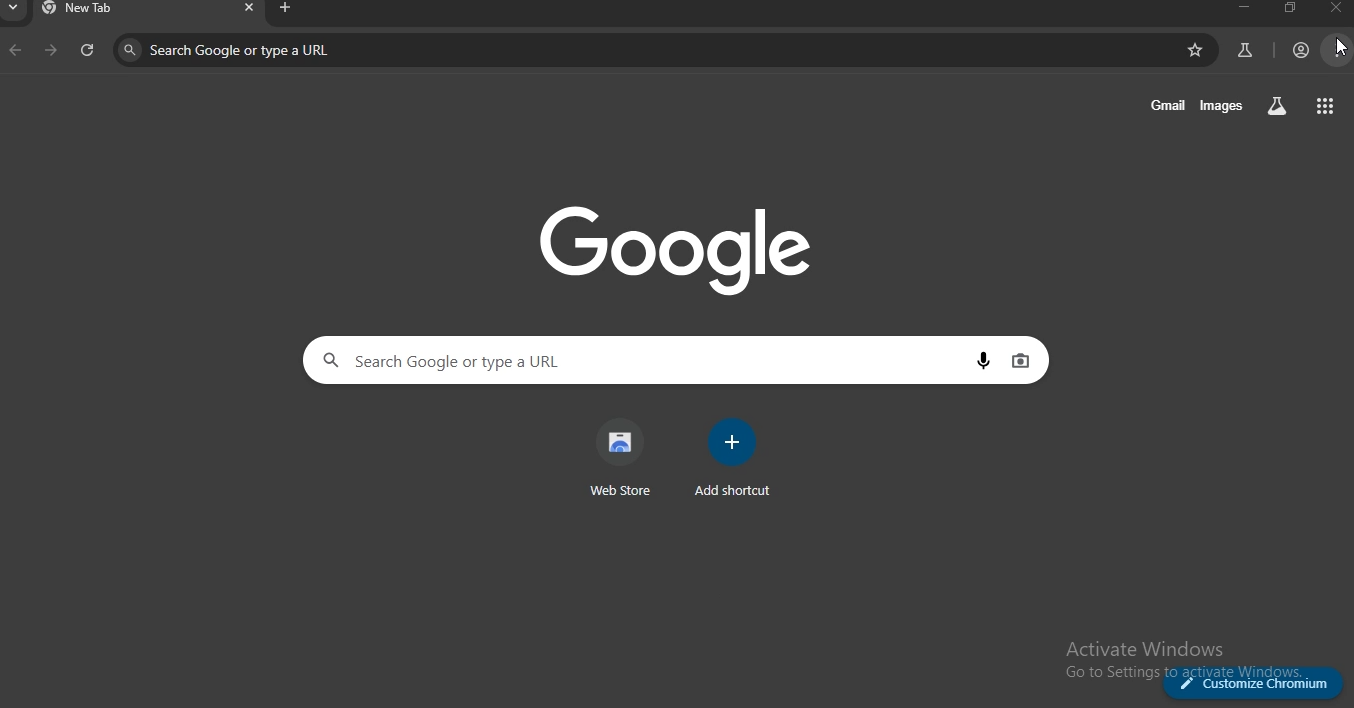 The image size is (1354, 708). What do you see at coordinates (1020, 361) in the screenshot?
I see `image search` at bounding box center [1020, 361].